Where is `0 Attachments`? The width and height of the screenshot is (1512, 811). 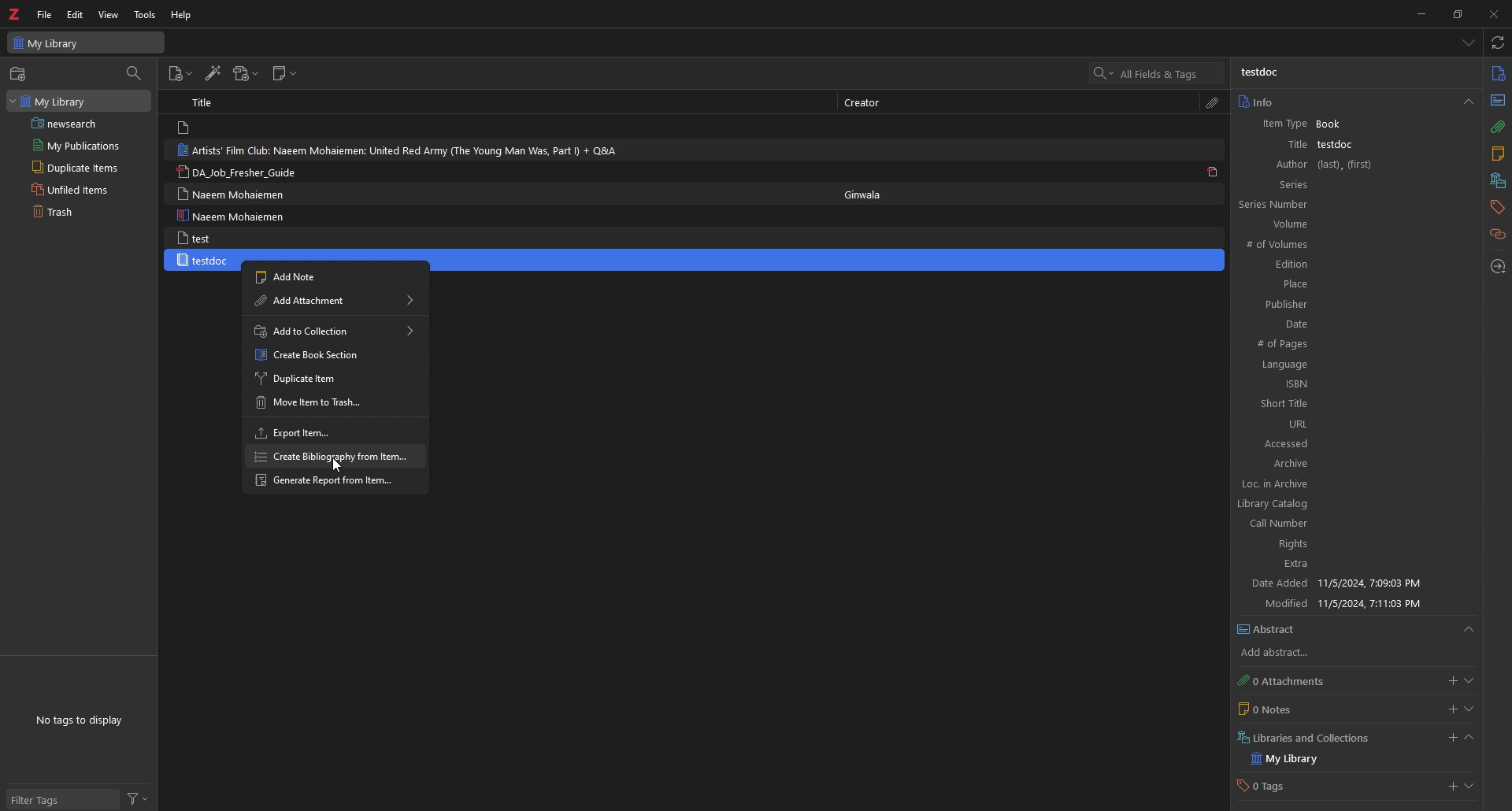
0 Attachments is located at coordinates (1296, 680).